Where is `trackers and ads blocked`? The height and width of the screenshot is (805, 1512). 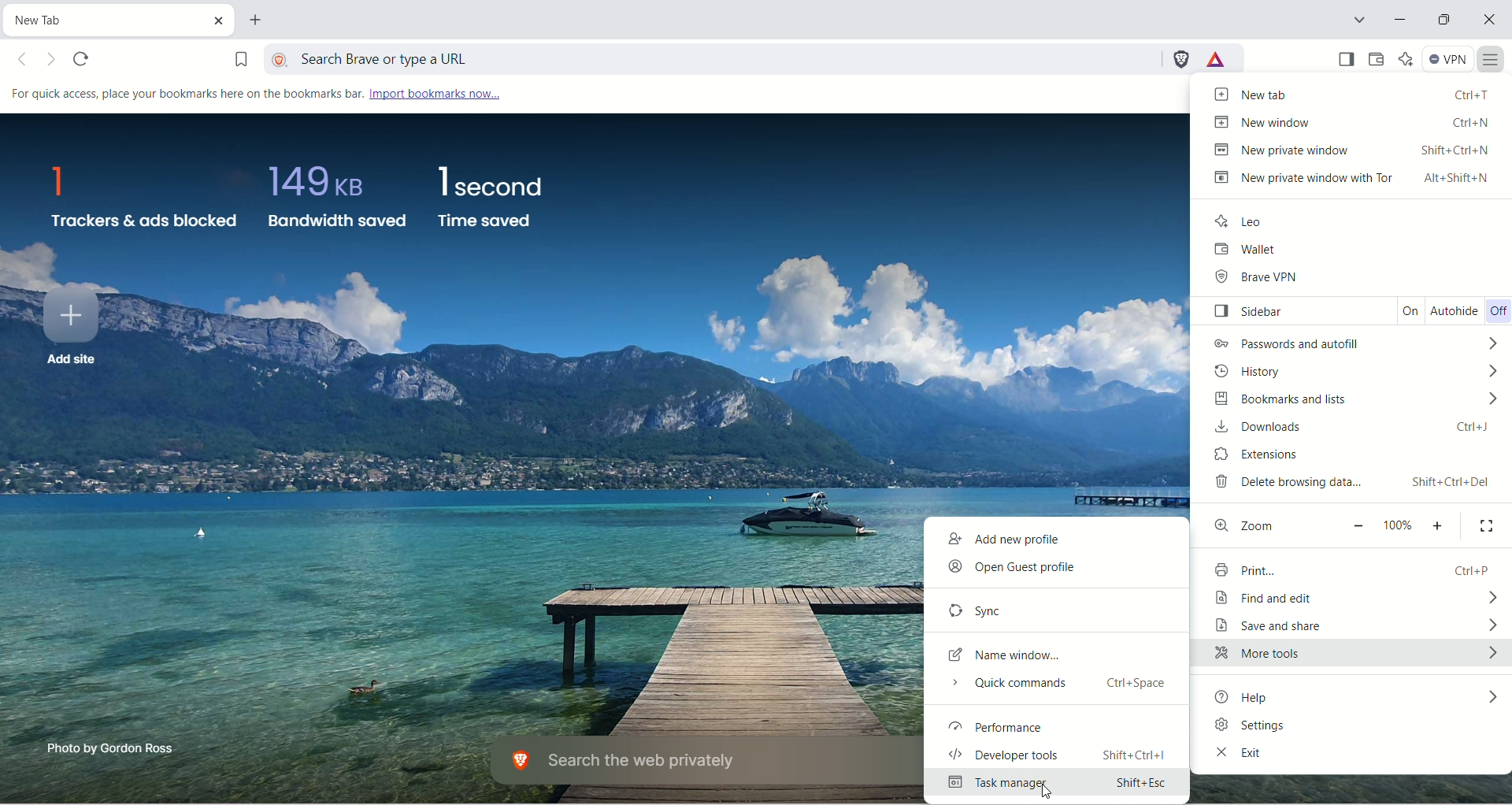 trackers and ads blocked is located at coordinates (143, 200).